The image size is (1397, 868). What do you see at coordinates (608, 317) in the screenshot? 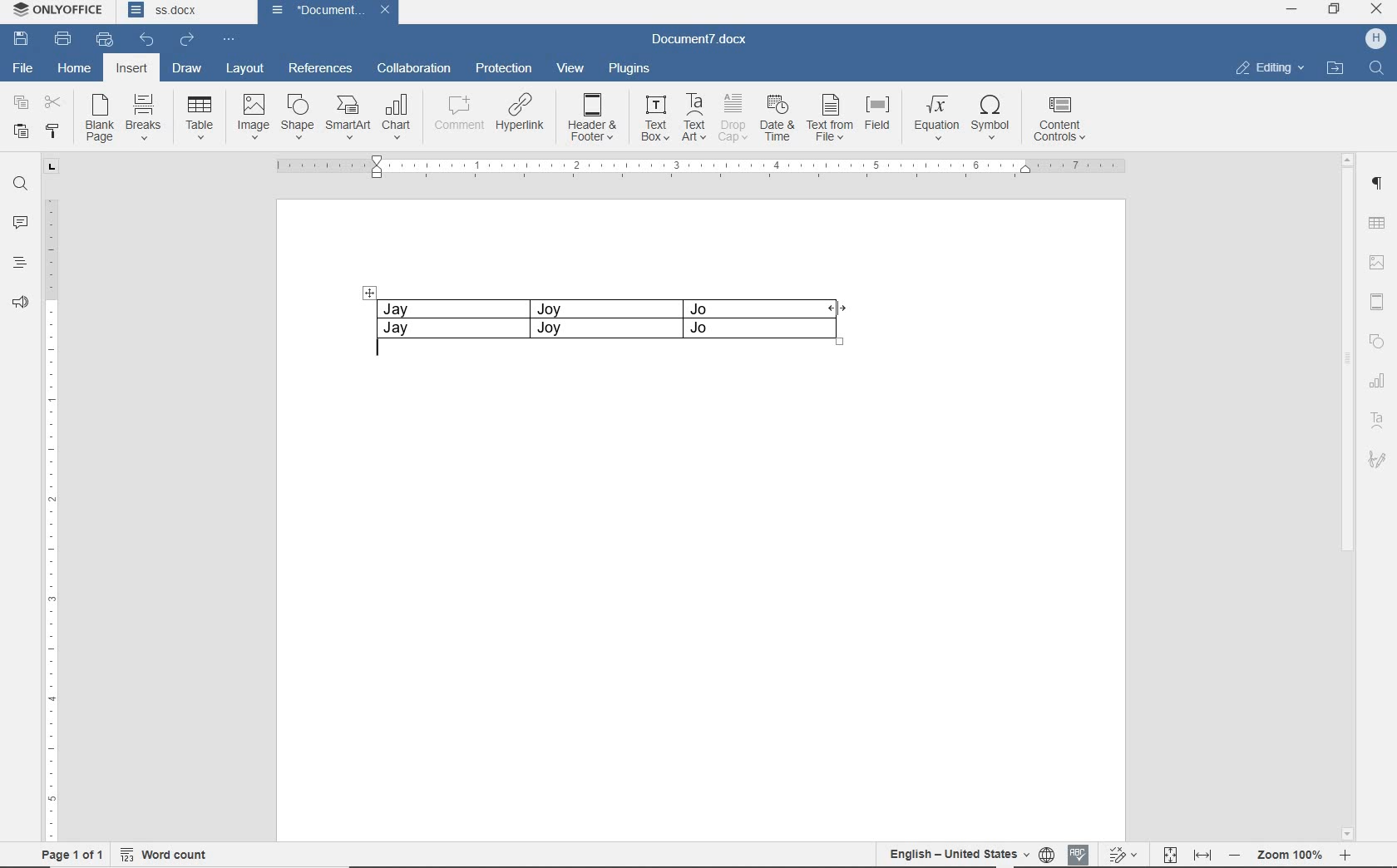
I see `TABLE` at bounding box center [608, 317].